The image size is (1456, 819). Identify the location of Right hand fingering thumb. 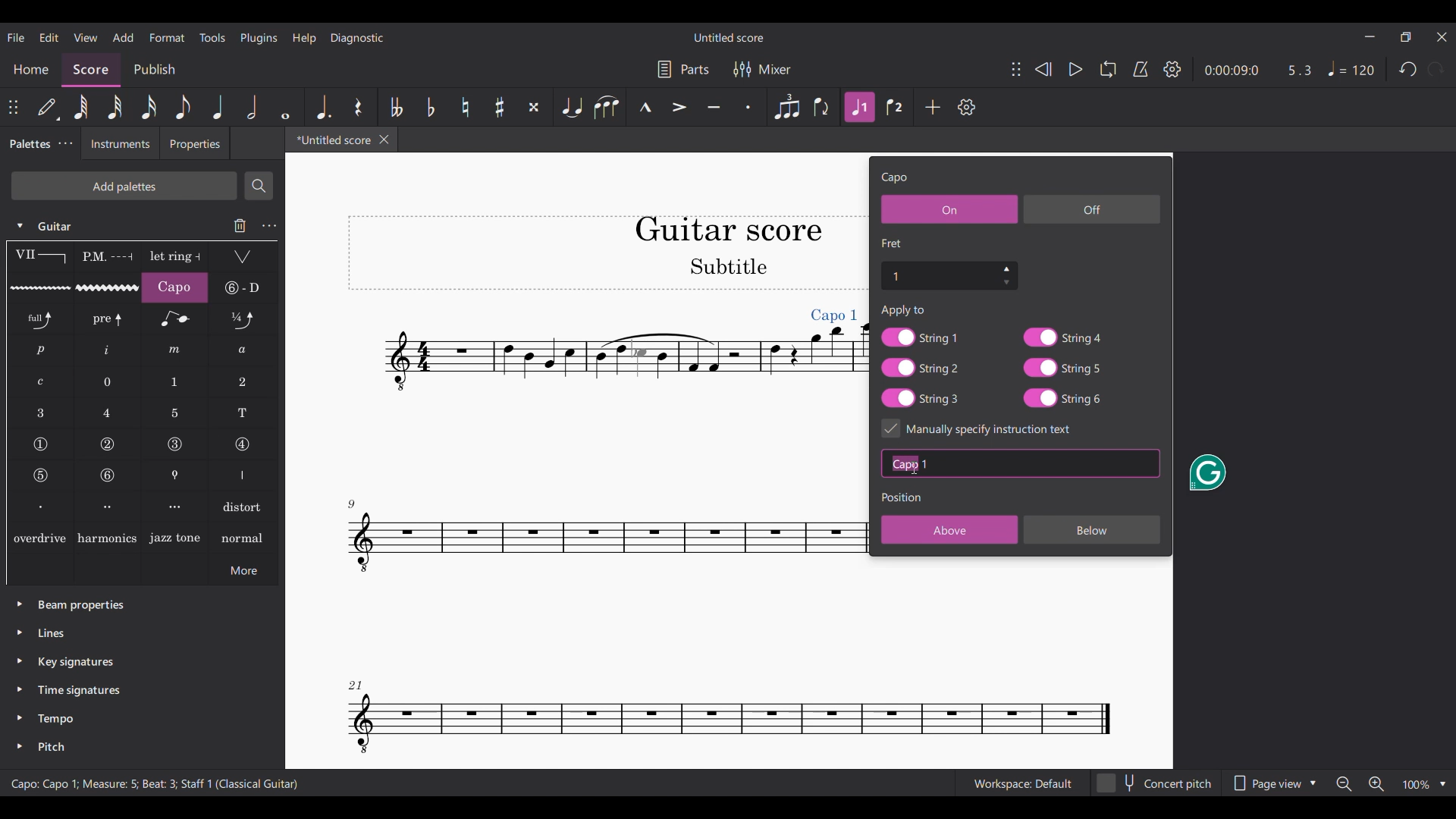
(243, 475).